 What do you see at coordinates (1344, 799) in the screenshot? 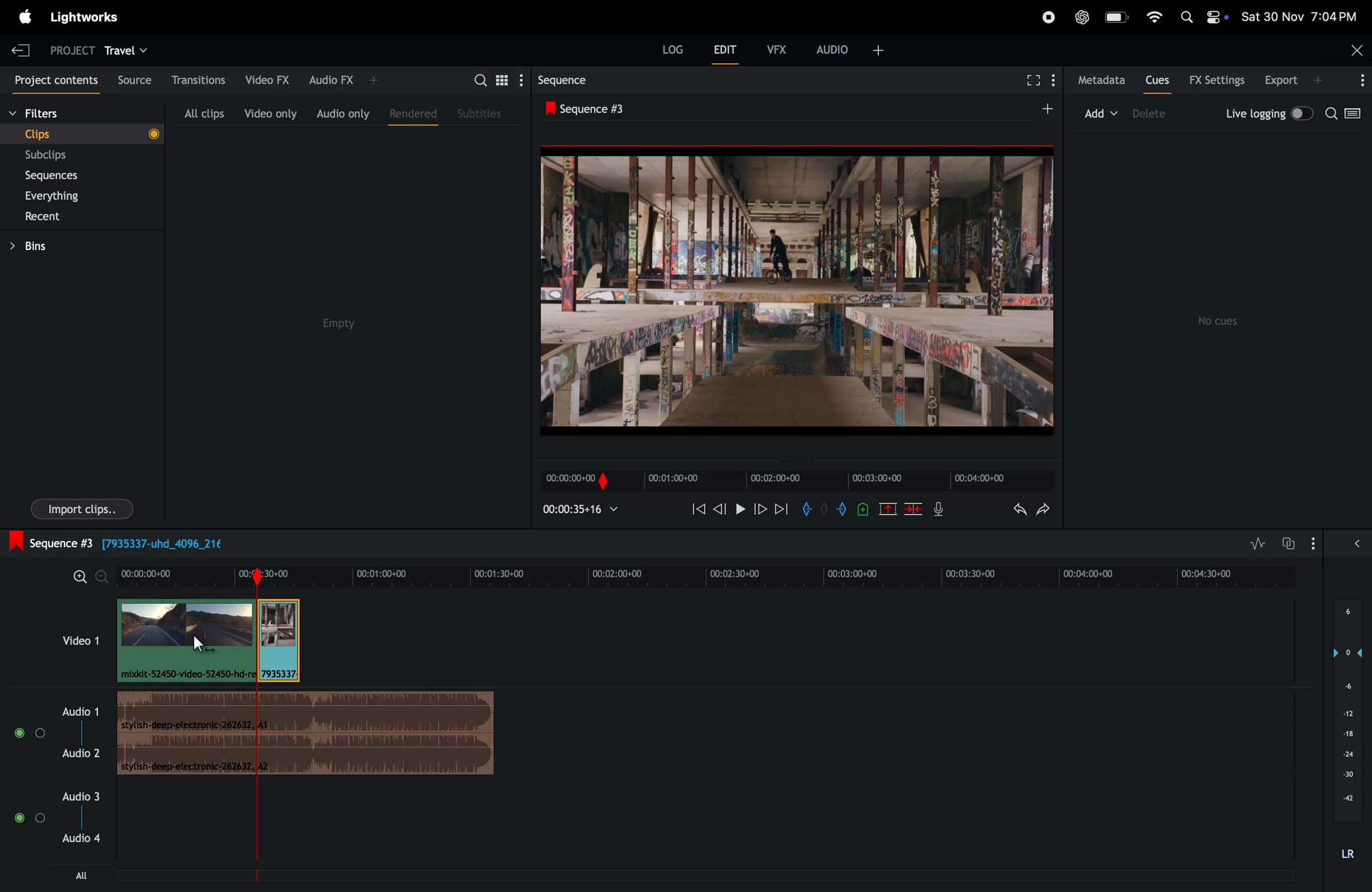
I see `-42 (layers)` at bounding box center [1344, 799].